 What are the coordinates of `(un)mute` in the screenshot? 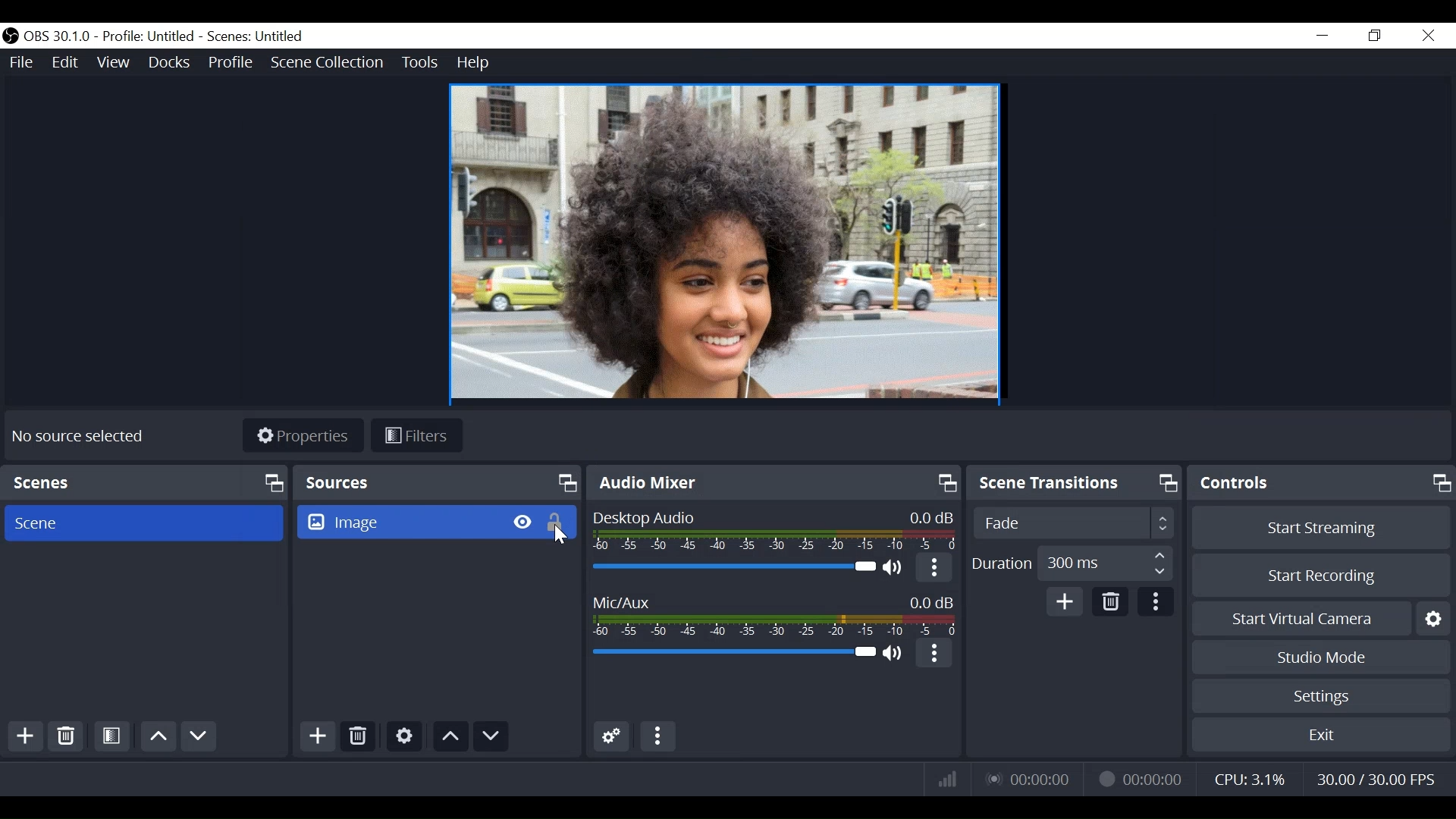 It's located at (896, 654).